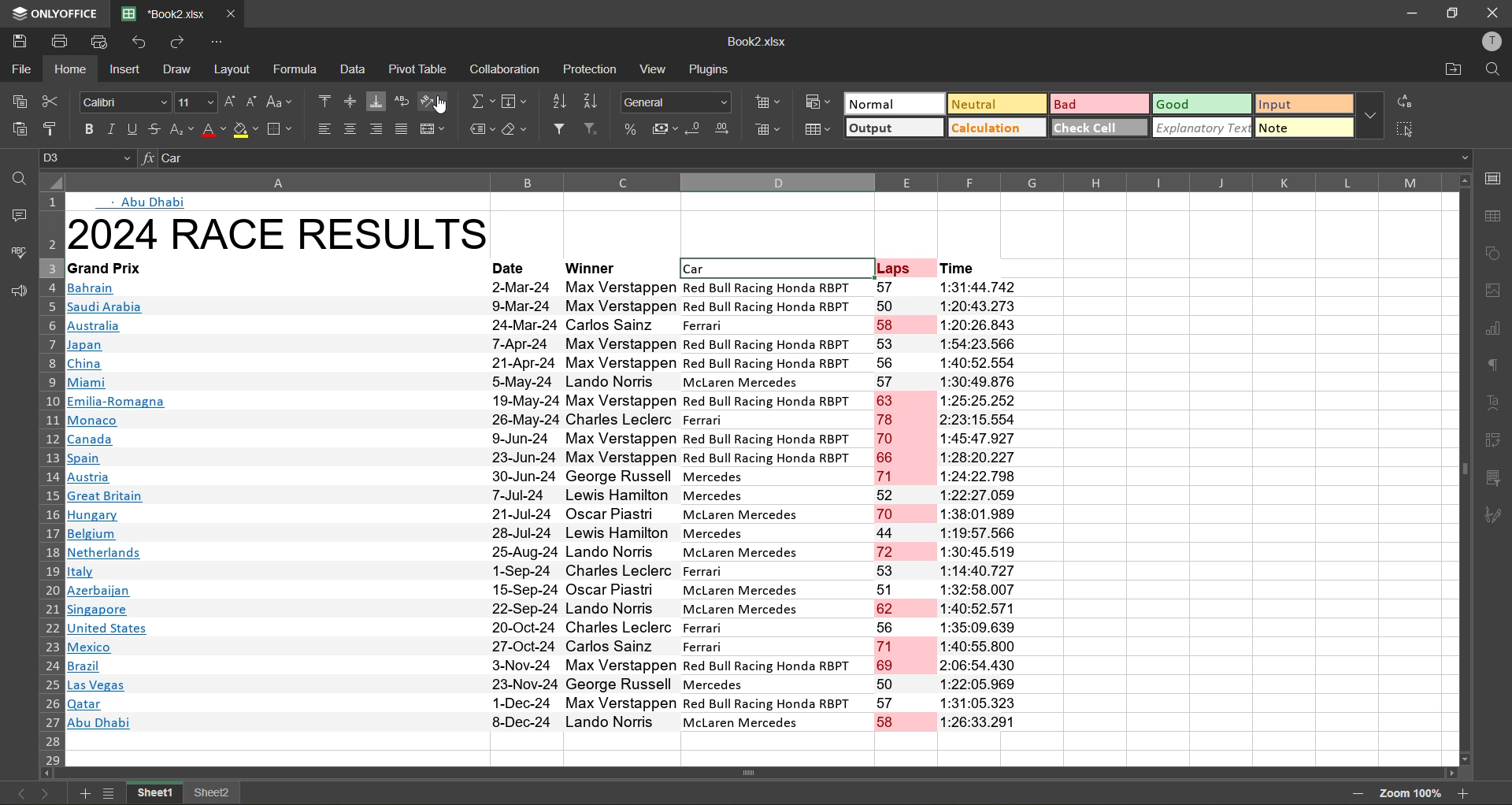 Image resolution: width=1512 pixels, height=805 pixels. I want to click on zoom out, so click(1364, 794).